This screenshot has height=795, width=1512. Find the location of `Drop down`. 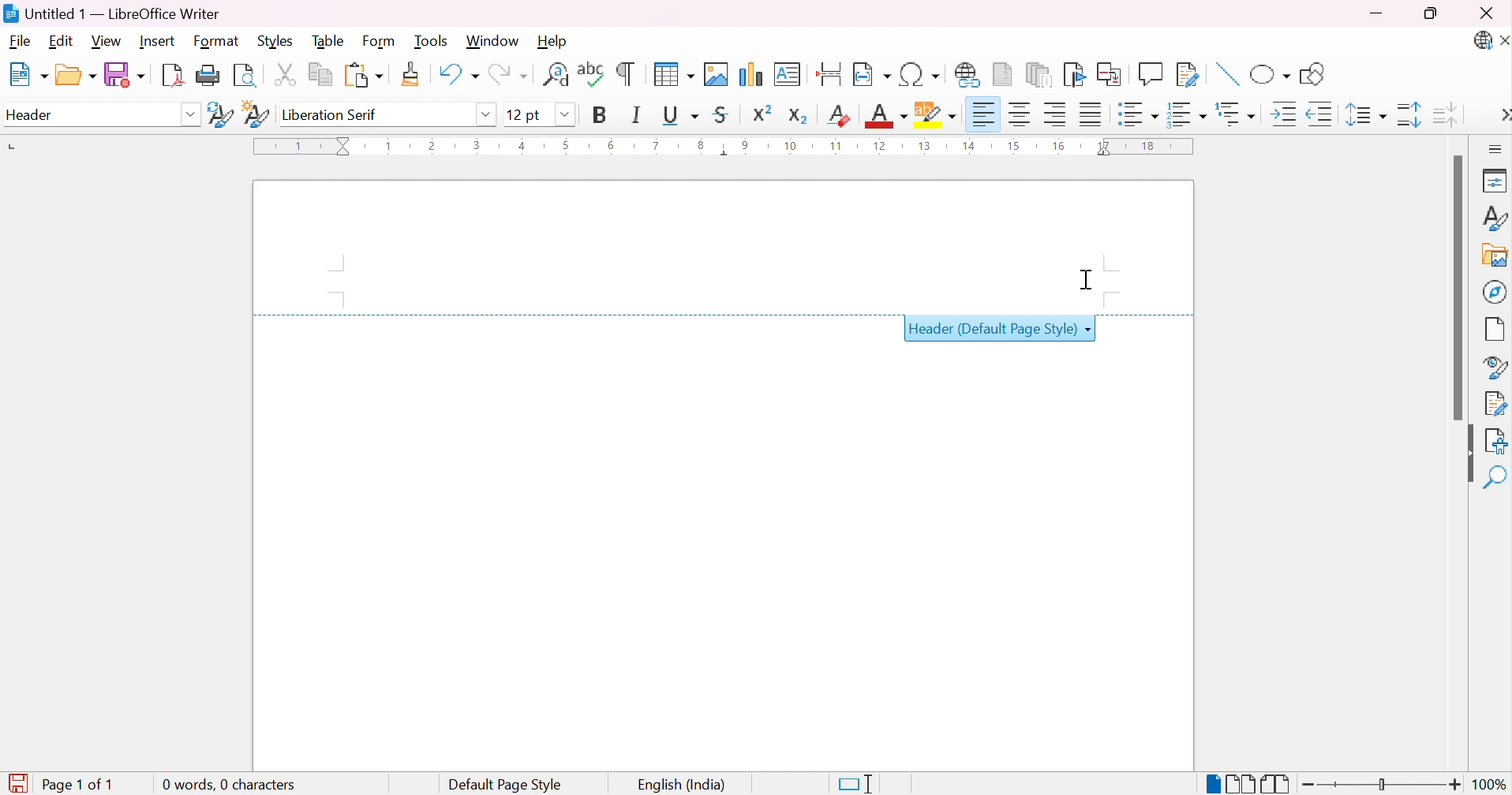

Drop down is located at coordinates (190, 117).